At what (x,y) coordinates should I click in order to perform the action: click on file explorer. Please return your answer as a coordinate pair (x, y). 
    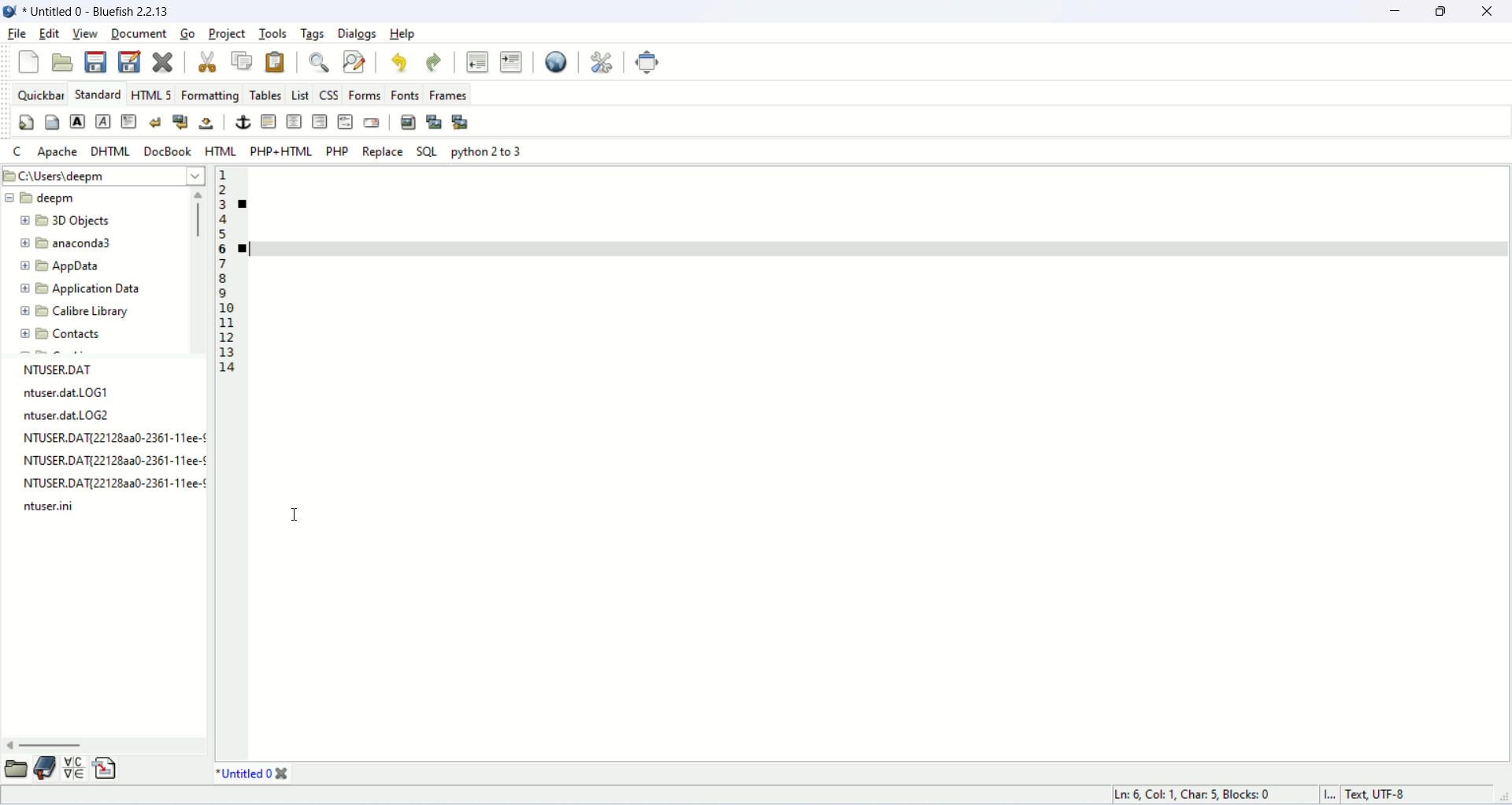
    Looking at the image, I should click on (16, 773).